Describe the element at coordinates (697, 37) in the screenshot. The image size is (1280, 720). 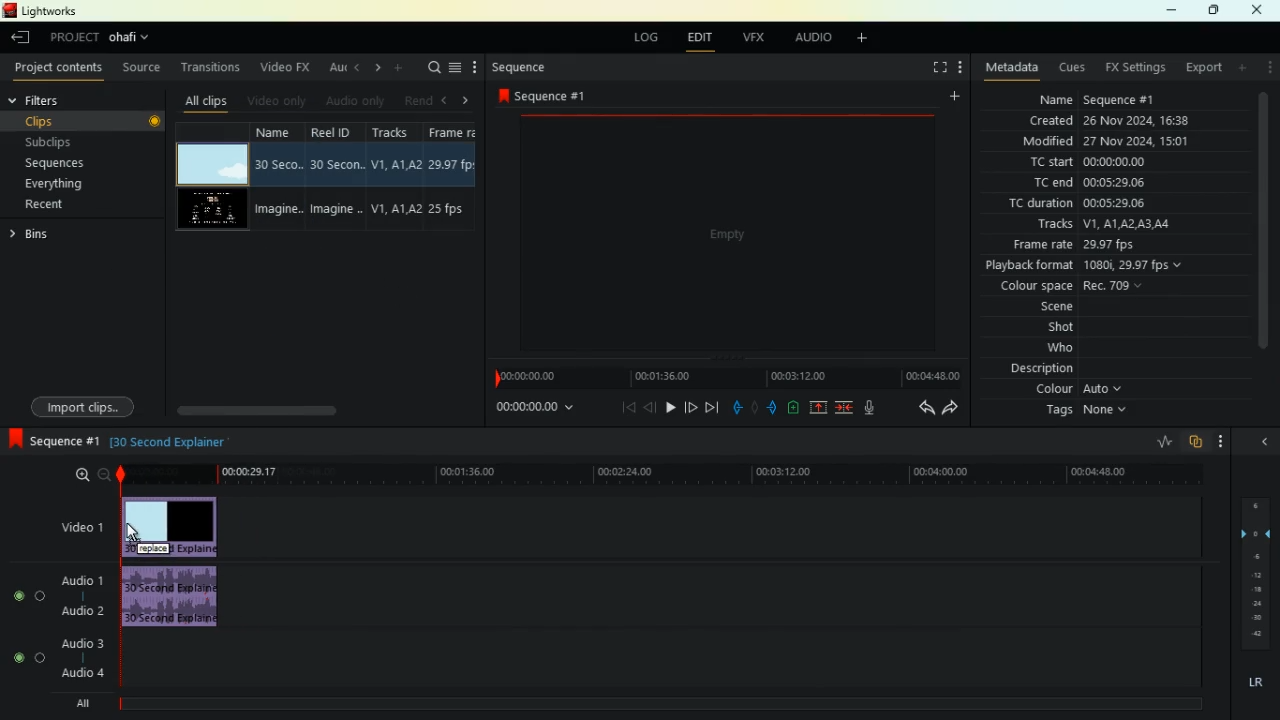
I see `edit` at that location.